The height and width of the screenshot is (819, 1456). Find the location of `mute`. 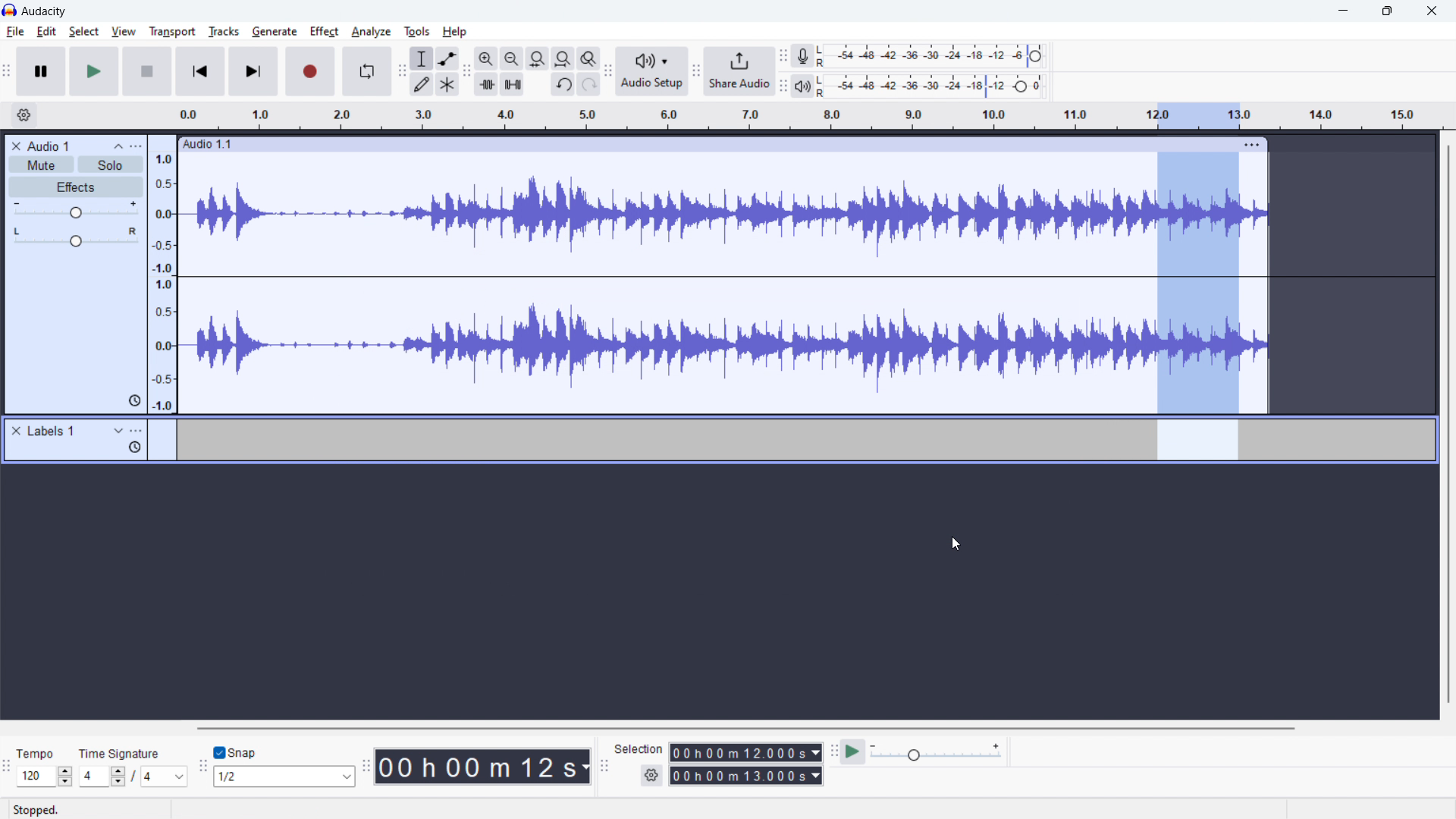

mute is located at coordinates (41, 165).